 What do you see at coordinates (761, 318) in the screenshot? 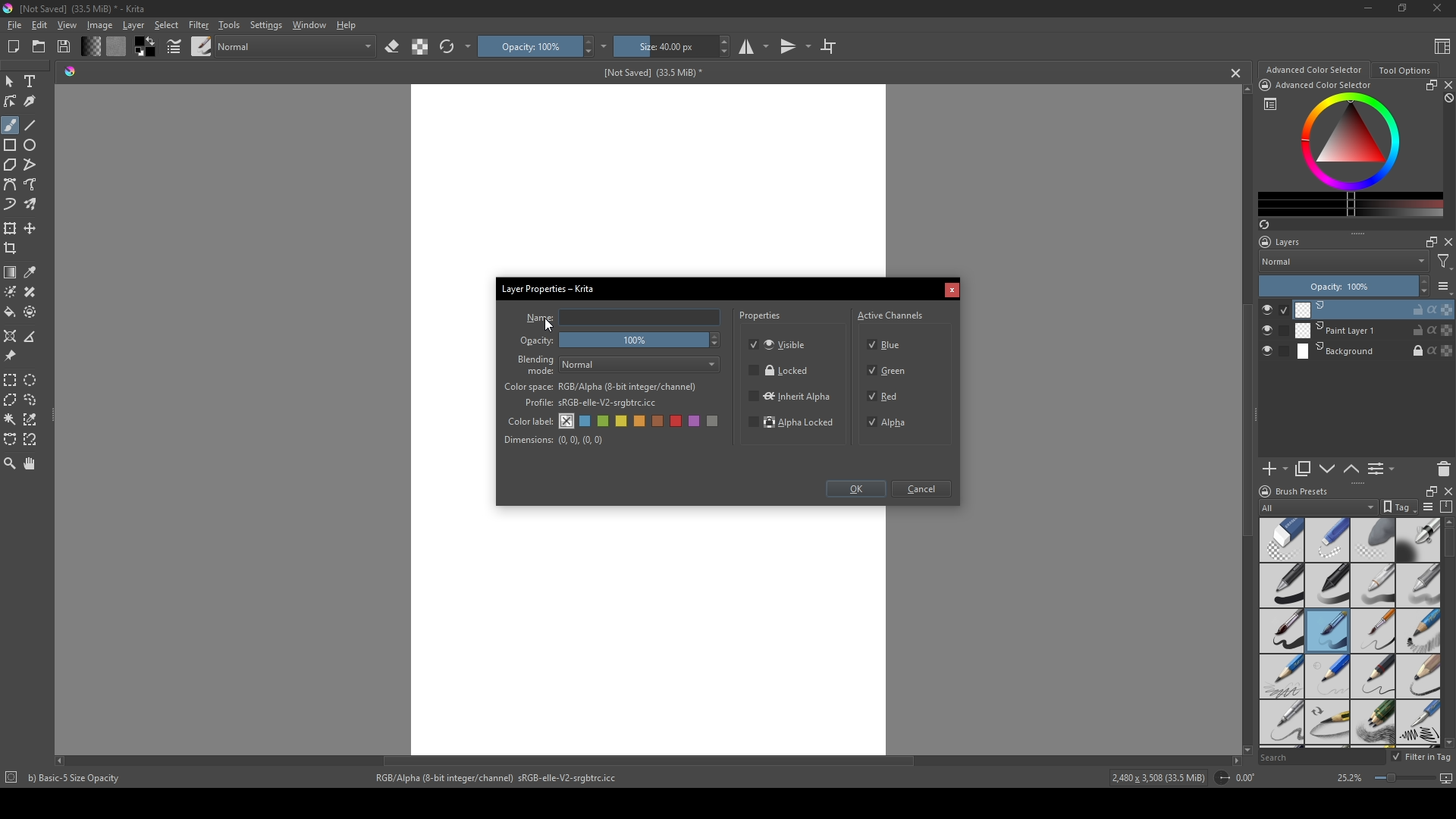
I see `properties` at bounding box center [761, 318].